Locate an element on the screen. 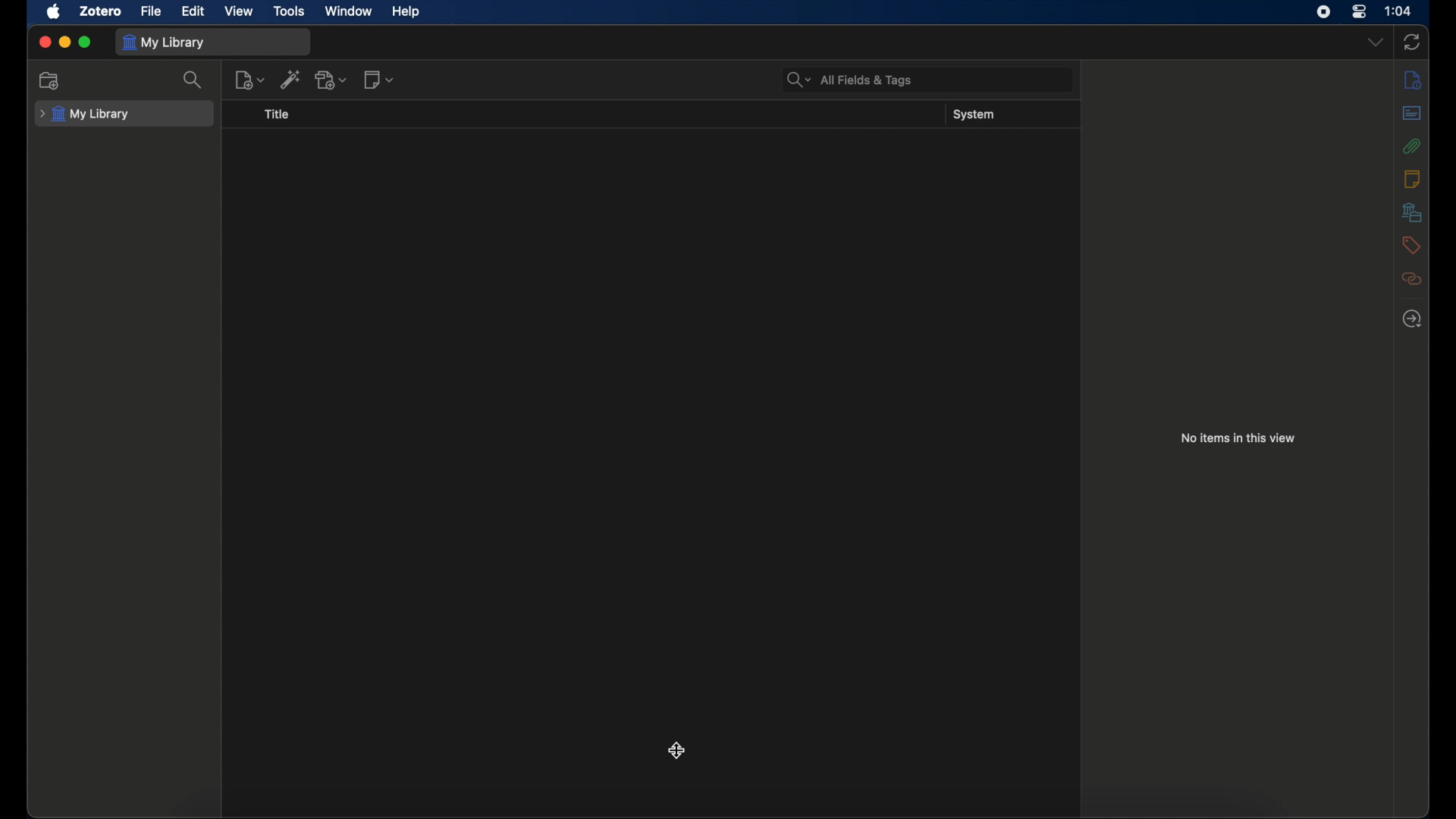 The width and height of the screenshot is (1456, 819). new item is located at coordinates (250, 80).